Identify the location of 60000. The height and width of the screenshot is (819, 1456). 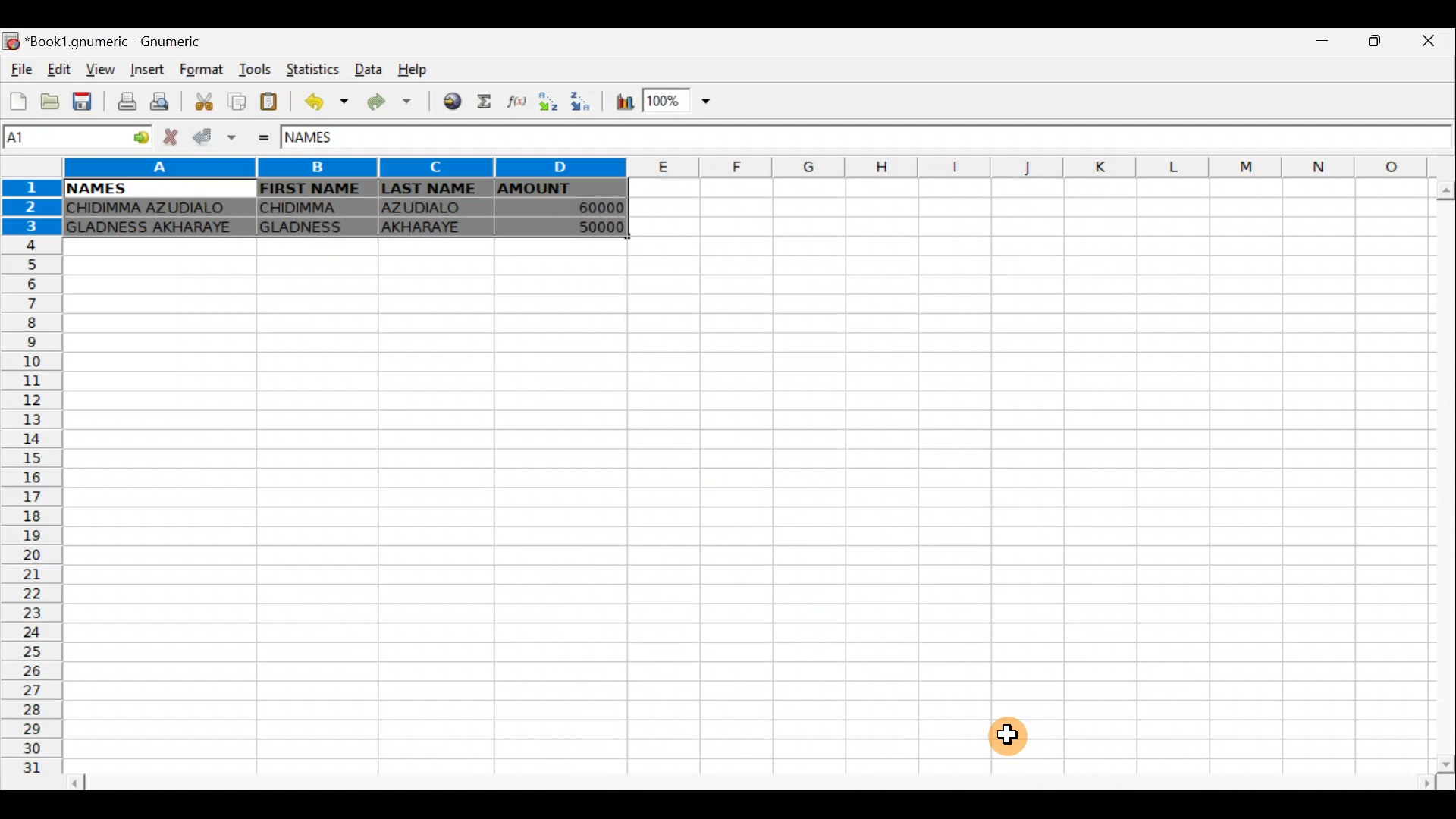
(586, 226).